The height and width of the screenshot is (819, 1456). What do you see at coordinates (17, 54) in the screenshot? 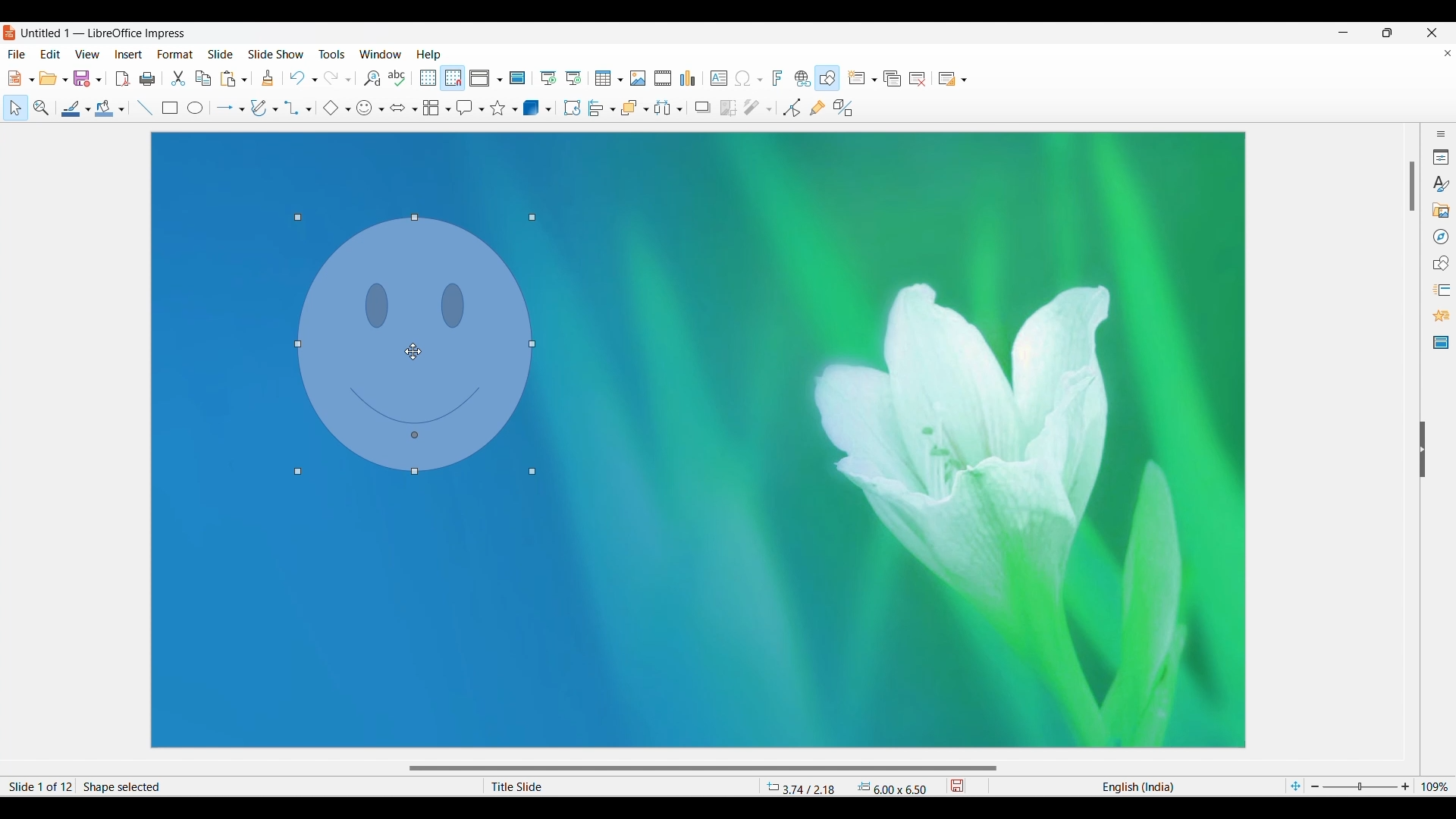
I see `File` at bounding box center [17, 54].